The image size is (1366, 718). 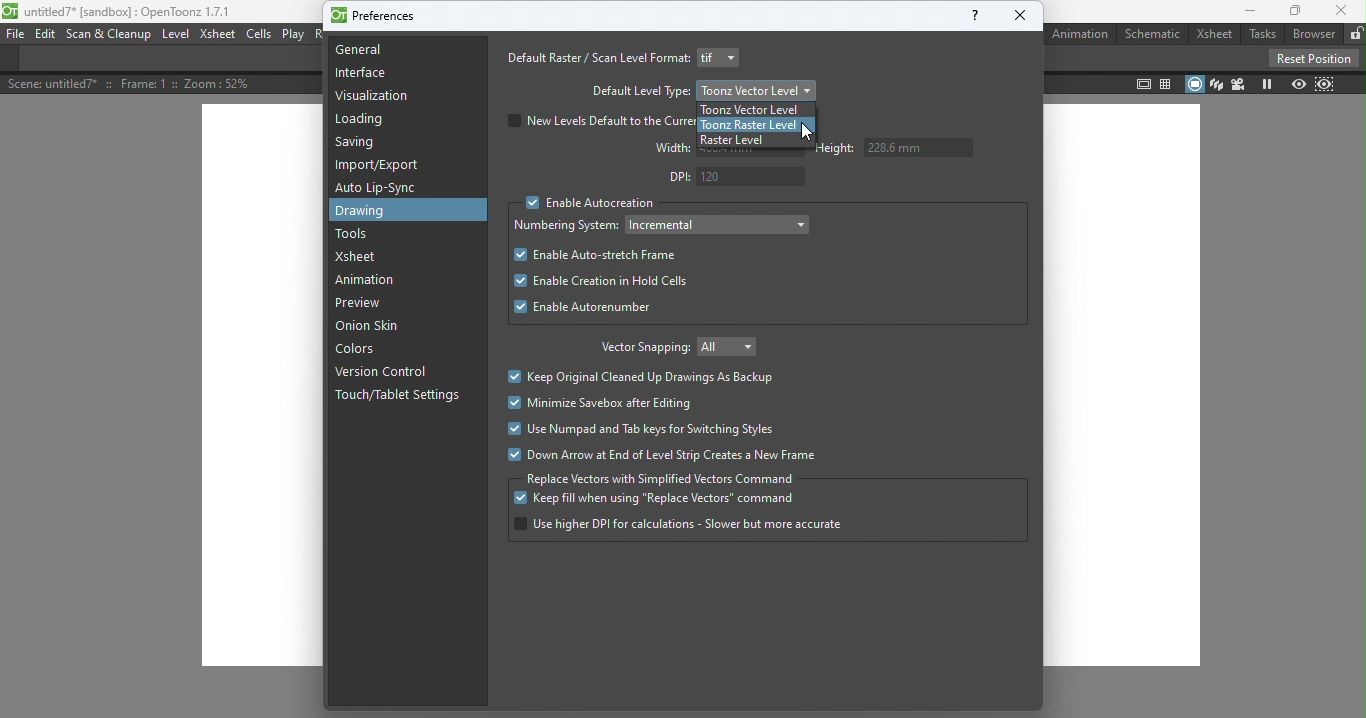 What do you see at coordinates (639, 91) in the screenshot?
I see `Default level type` at bounding box center [639, 91].